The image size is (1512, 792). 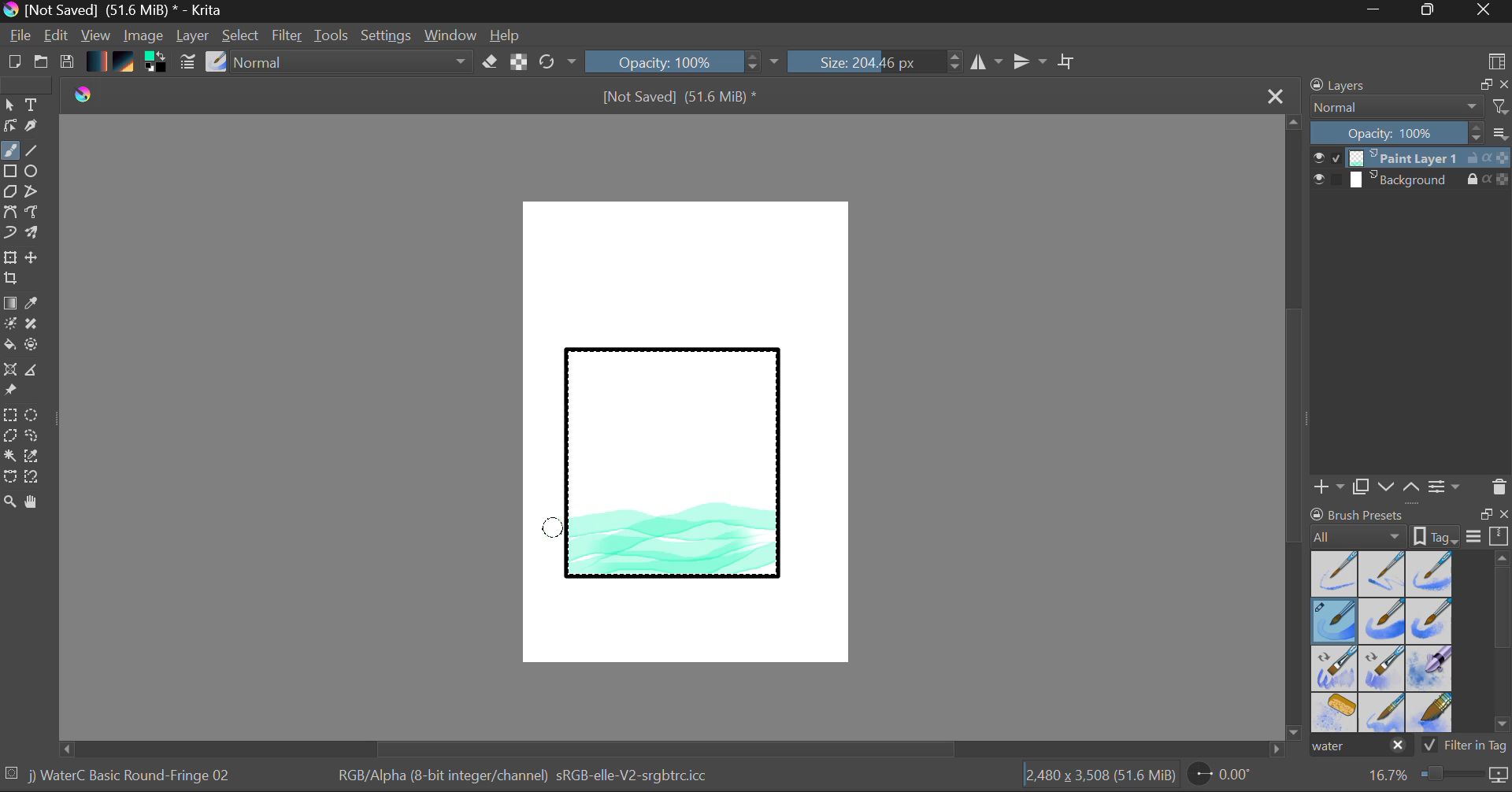 What do you see at coordinates (506, 35) in the screenshot?
I see `Help` at bounding box center [506, 35].